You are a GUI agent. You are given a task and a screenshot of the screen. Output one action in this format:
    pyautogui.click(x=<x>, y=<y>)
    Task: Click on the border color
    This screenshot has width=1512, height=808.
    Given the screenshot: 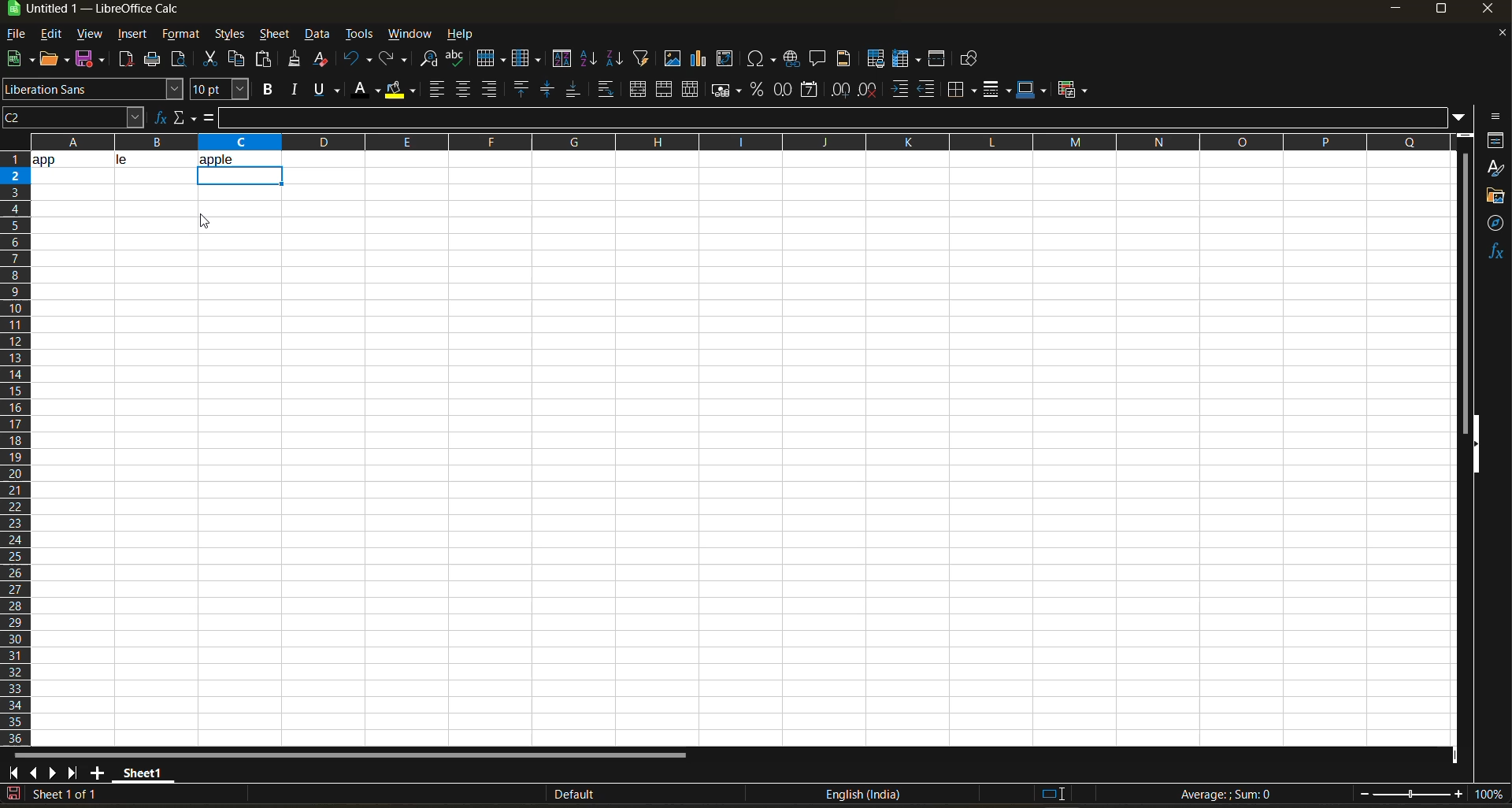 What is the action you would take?
    pyautogui.click(x=1032, y=89)
    